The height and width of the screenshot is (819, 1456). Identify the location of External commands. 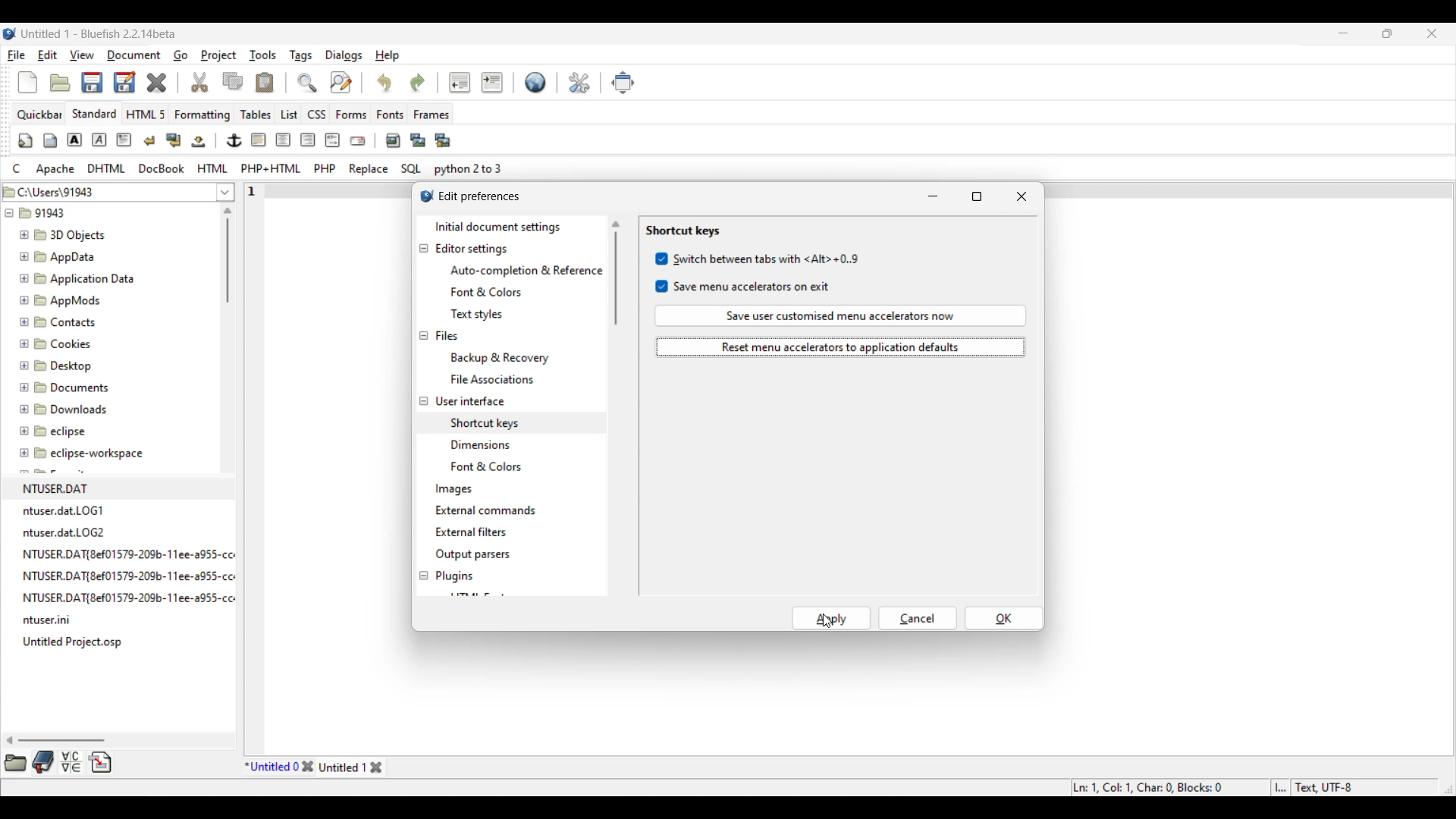
(485, 510).